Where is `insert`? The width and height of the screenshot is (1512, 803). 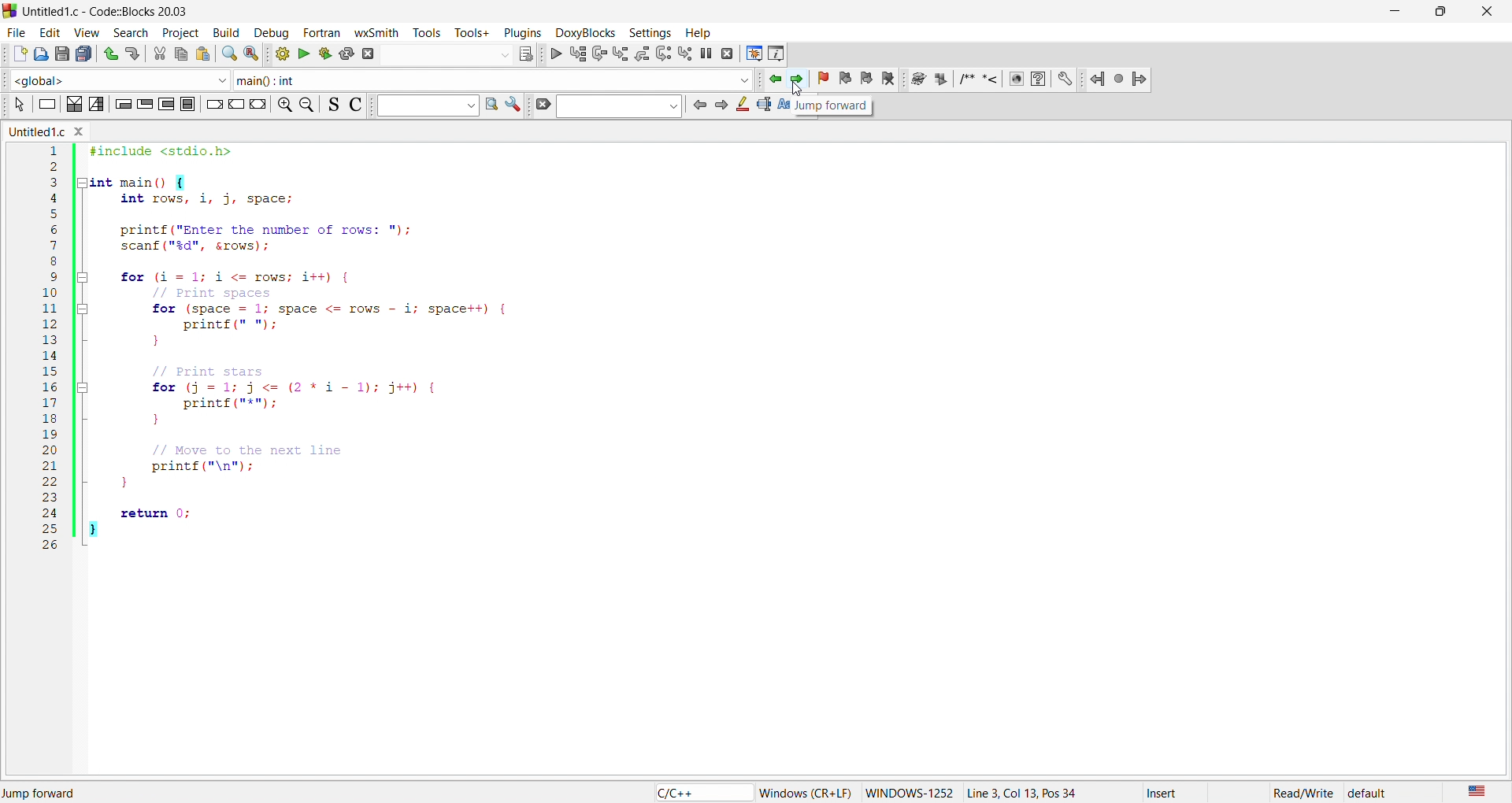
insert is located at coordinates (1165, 788).